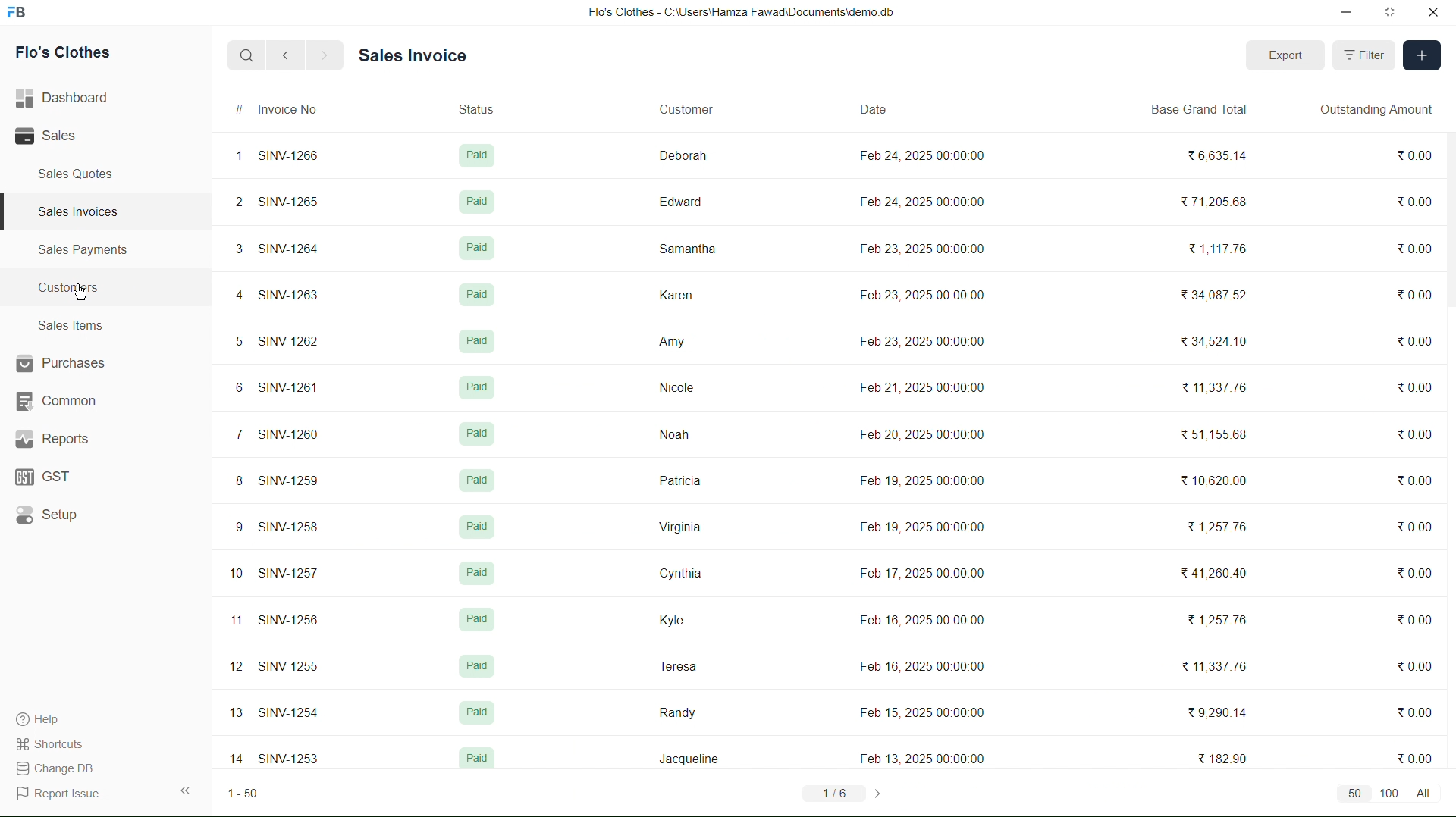 This screenshot has height=817, width=1456. What do you see at coordinates (290, 56) in the screenshot?
I see `back` at bounding box center [290, 56].